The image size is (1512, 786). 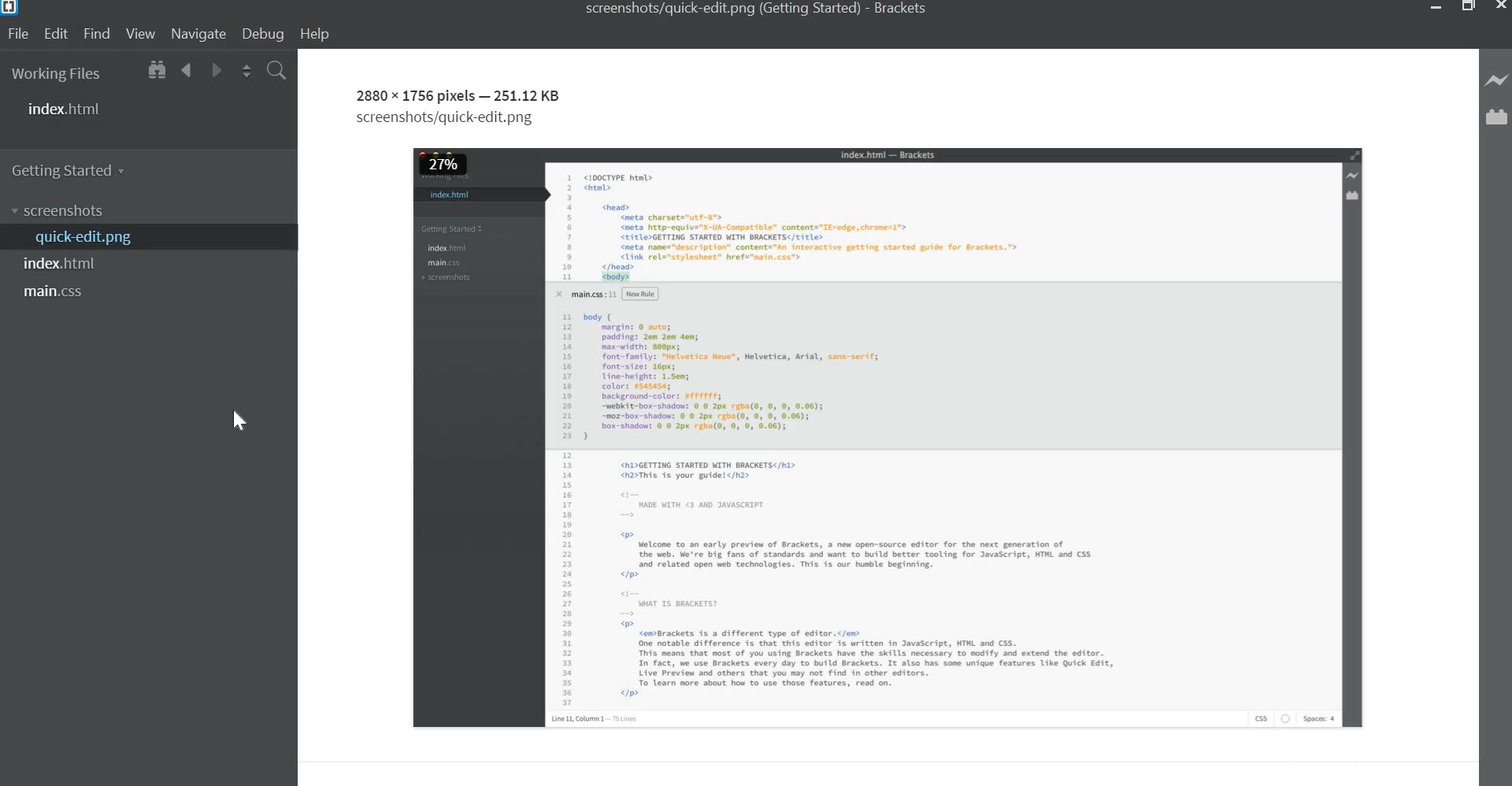 I want to click on , so click(x=1466, y=8).